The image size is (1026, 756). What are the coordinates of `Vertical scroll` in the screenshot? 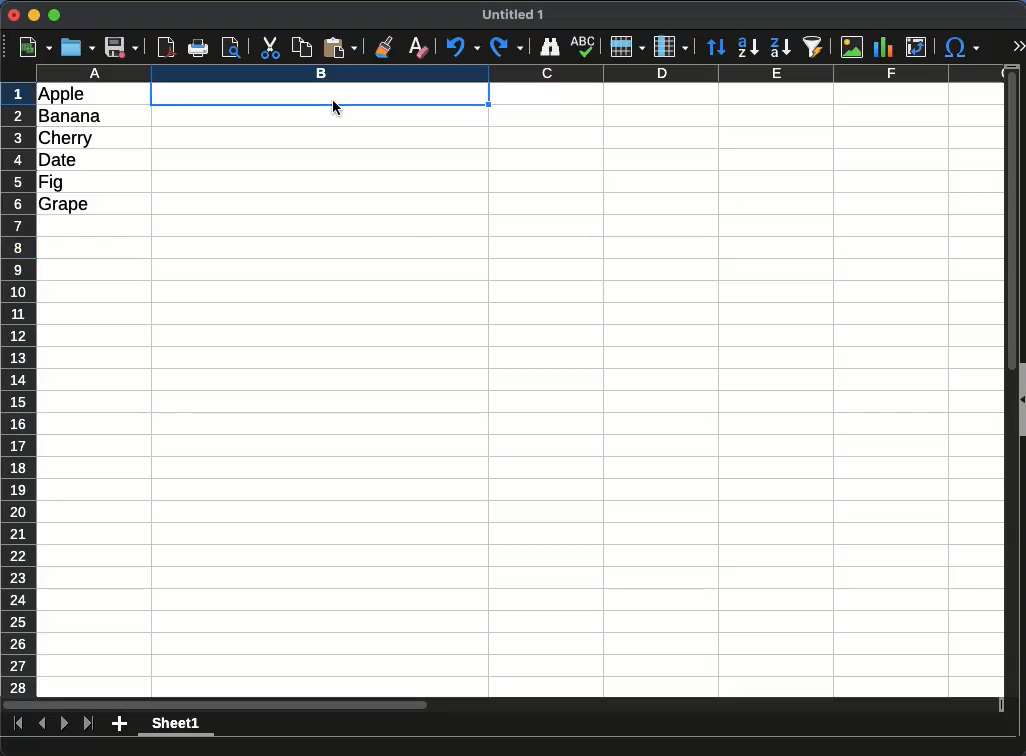 It's located at (1012, 381).